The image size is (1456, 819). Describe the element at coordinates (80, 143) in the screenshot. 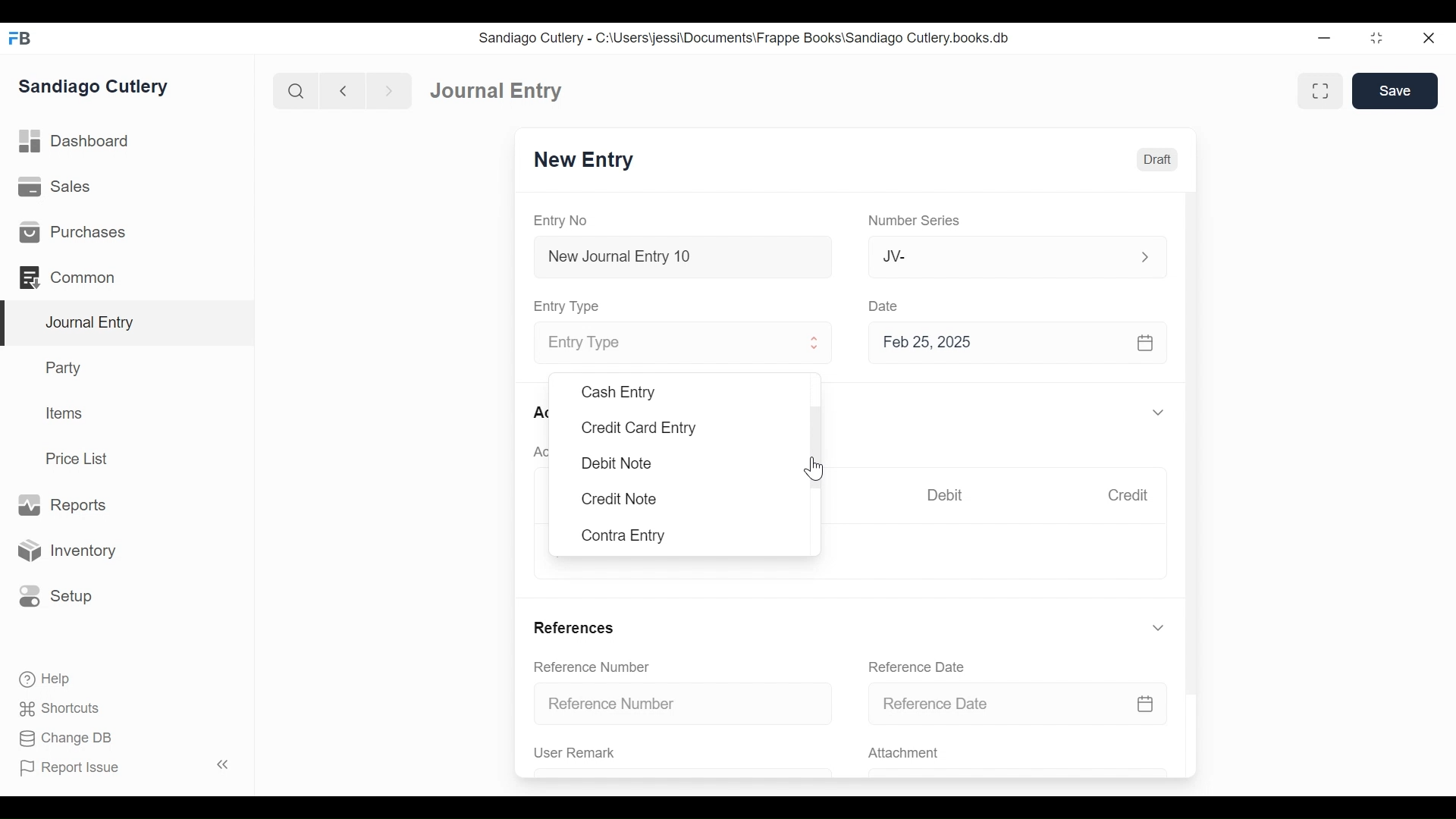

I see `Dashboard` at that location.